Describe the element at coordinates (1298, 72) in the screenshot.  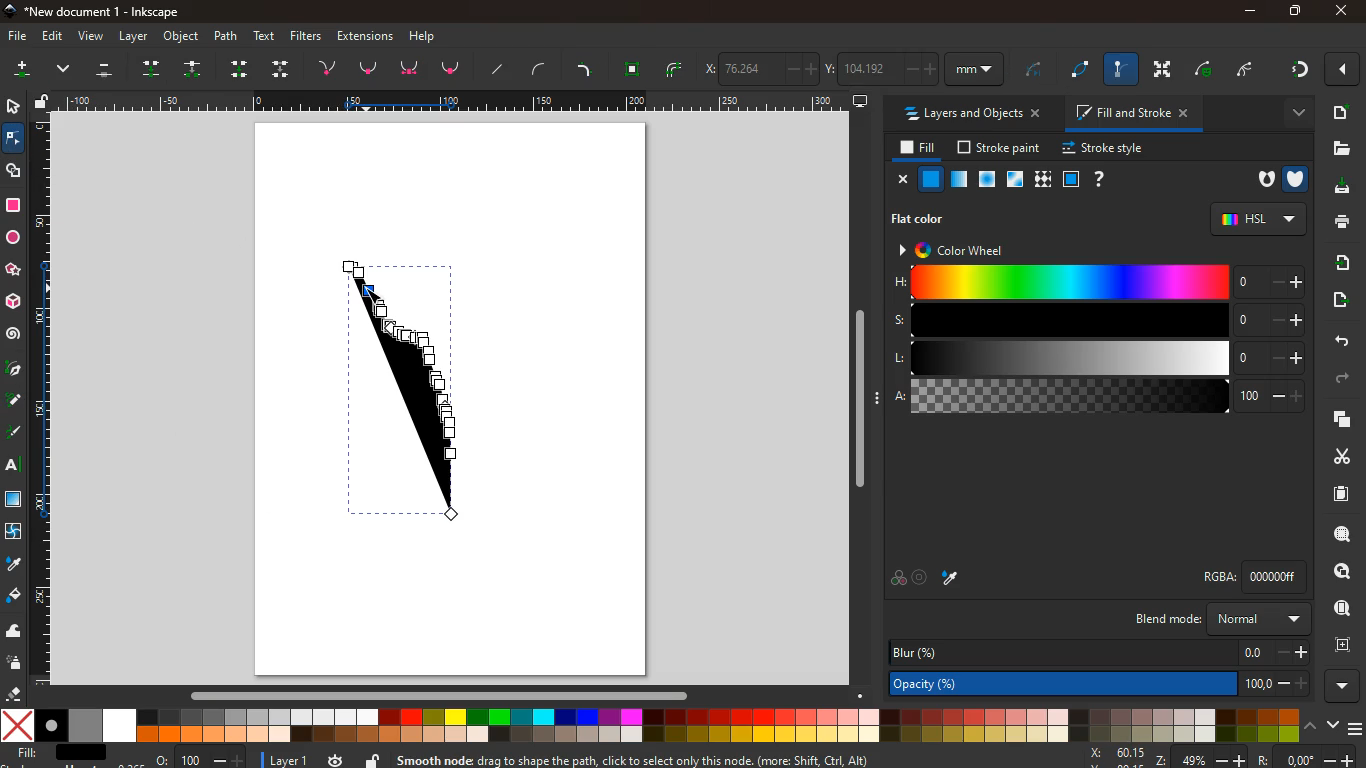
I see `gradient` at that location.